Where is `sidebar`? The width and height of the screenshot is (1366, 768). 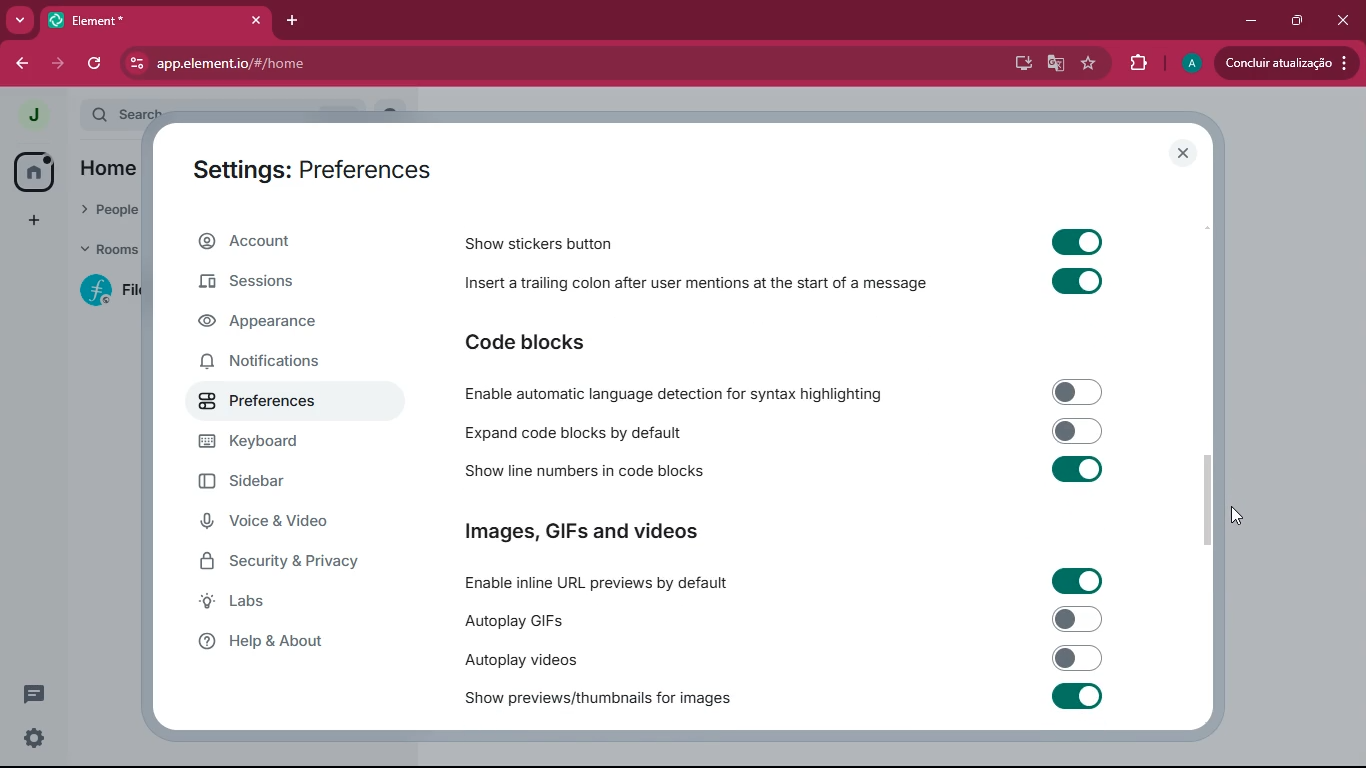
sidebar is located at coordinates (289, 486).